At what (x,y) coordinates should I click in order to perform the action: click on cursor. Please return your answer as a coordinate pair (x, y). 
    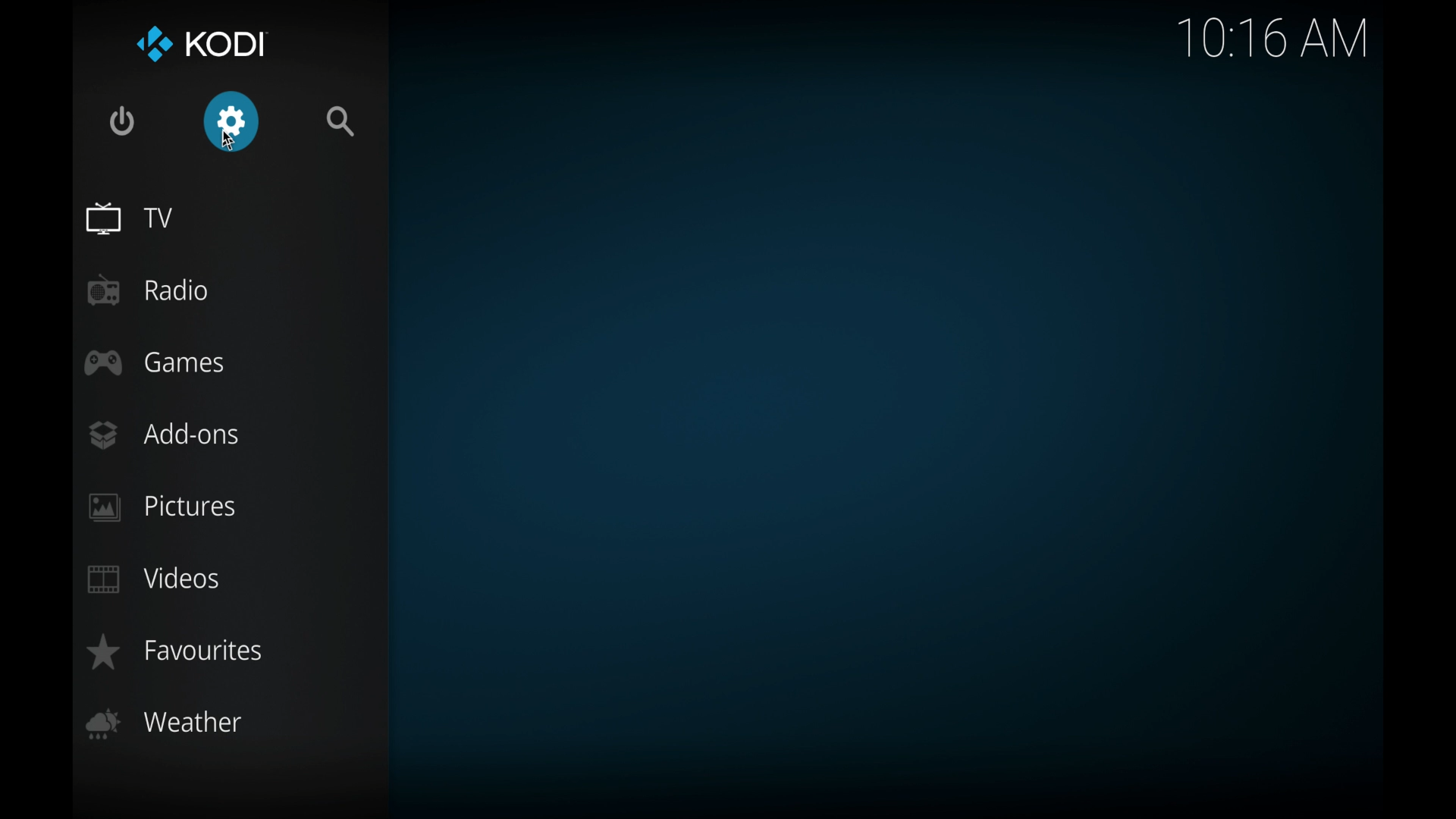
    Looking at the image, I should click on (229, 140).